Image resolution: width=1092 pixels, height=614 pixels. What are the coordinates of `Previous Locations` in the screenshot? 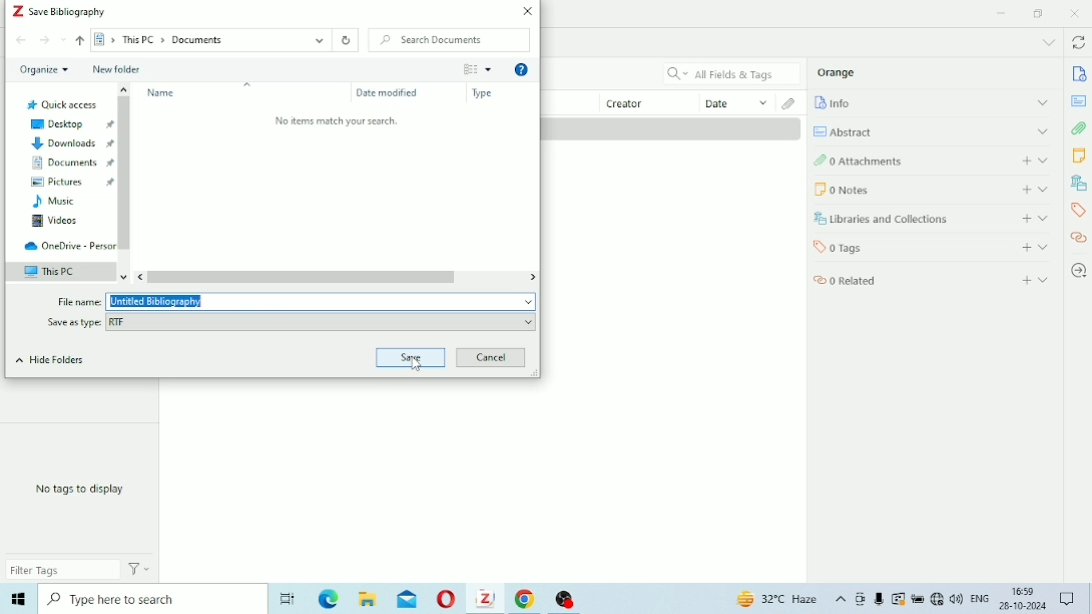 It's located at (319, 39).